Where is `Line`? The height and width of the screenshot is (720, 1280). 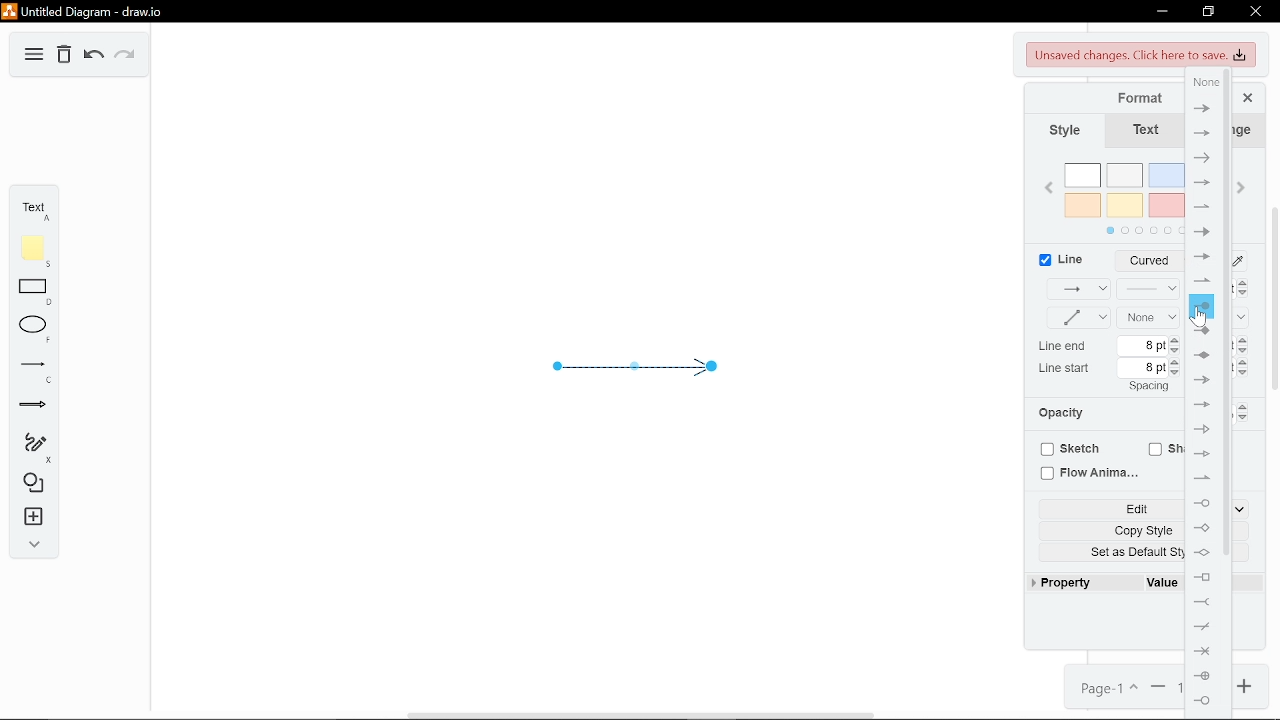
Line is located at coordinates (33, 373).